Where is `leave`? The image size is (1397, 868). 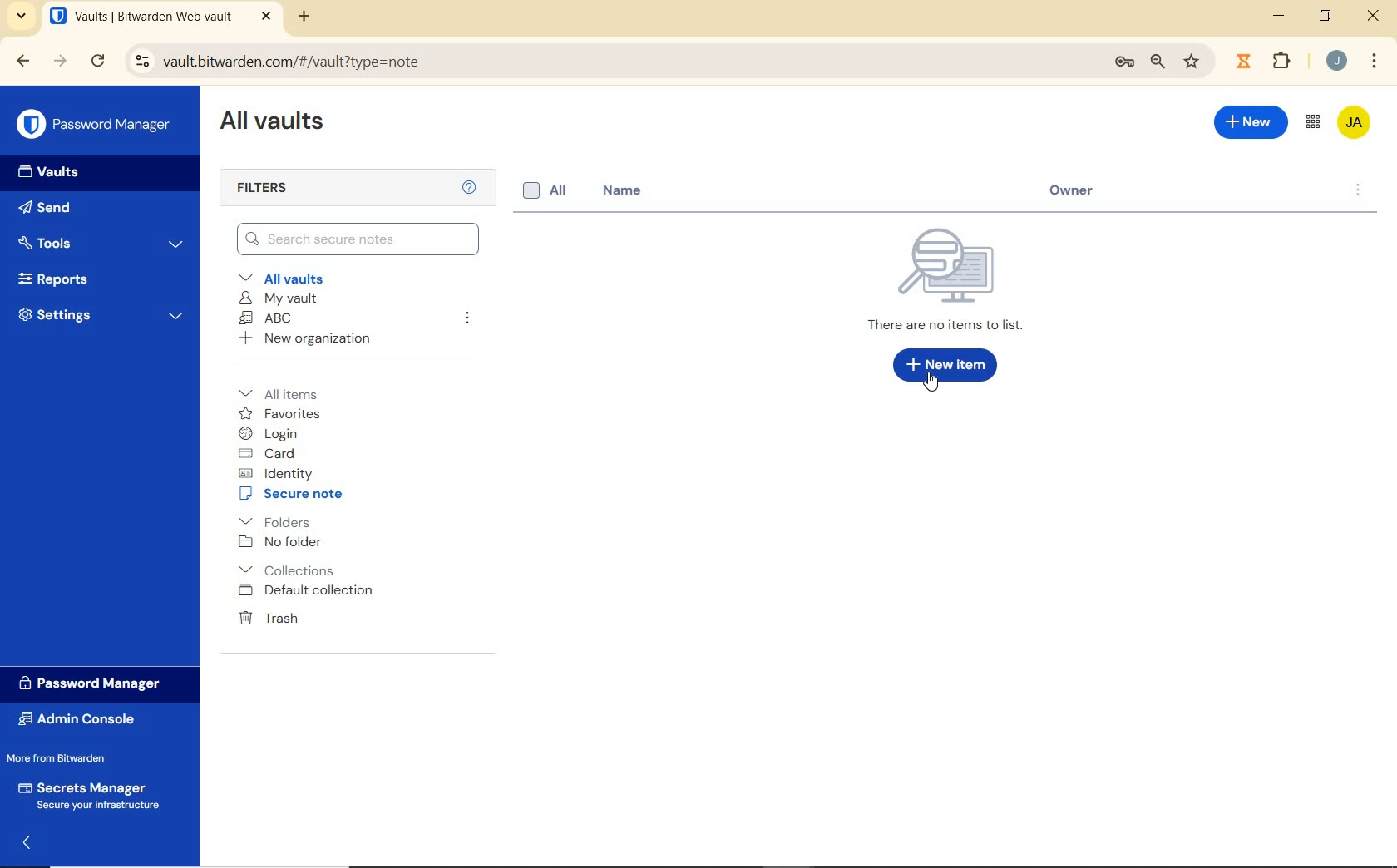 leave is located at coordinates (468, 321).